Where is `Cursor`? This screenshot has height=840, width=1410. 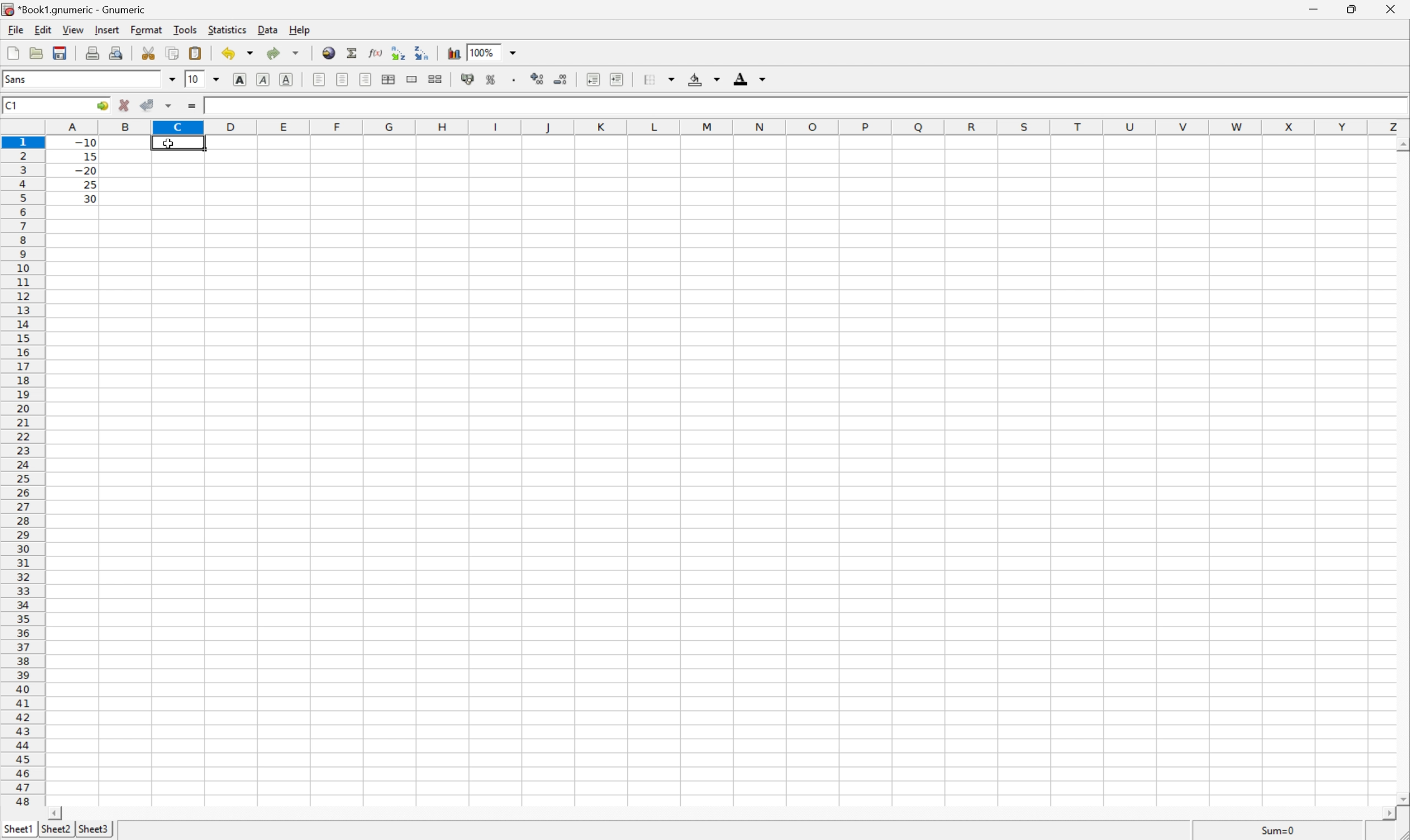
Cursor is located at coordinates (169, 145).